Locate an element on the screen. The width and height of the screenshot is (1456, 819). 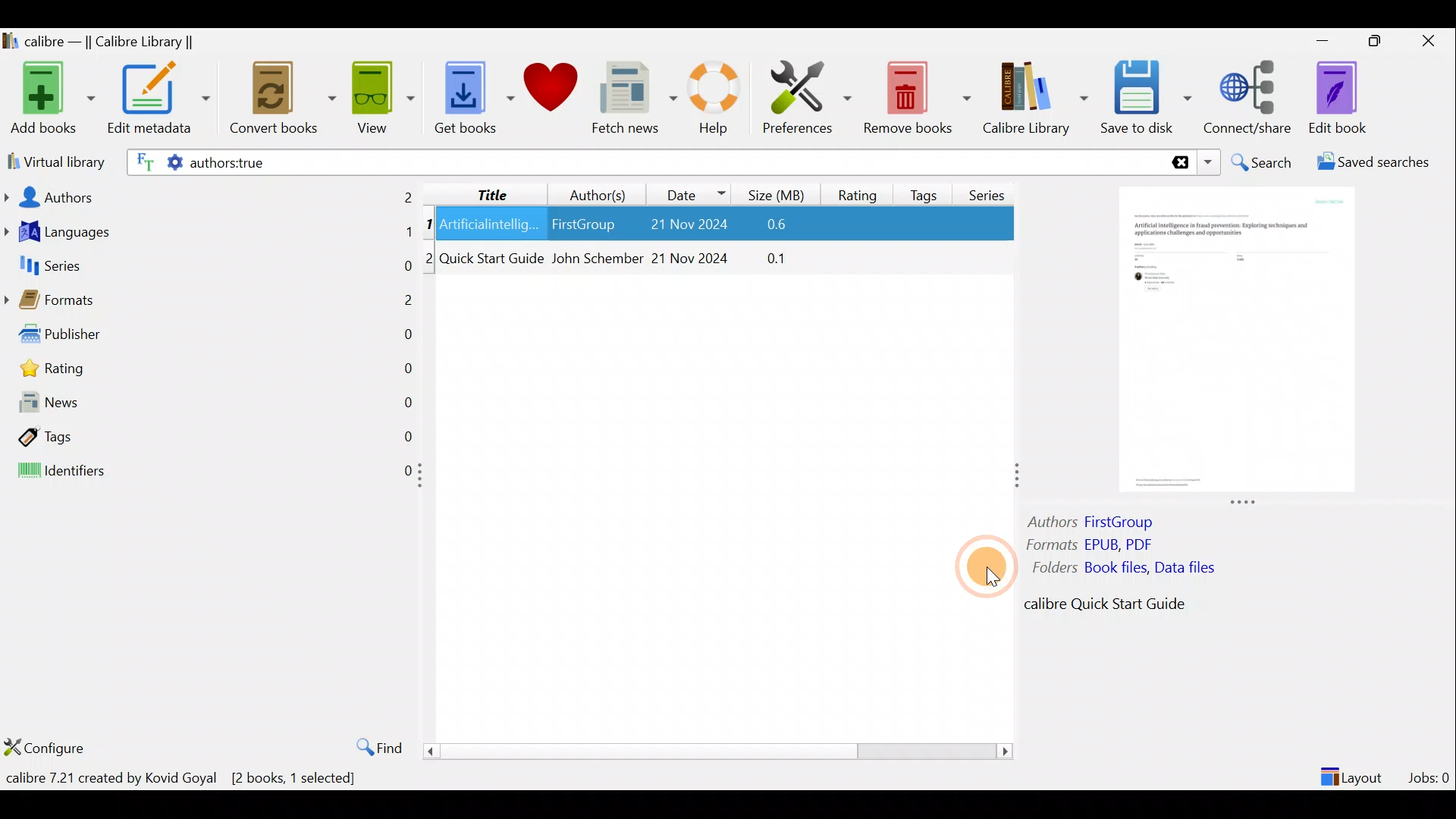
Remove books is located at coordinates (918, 97).